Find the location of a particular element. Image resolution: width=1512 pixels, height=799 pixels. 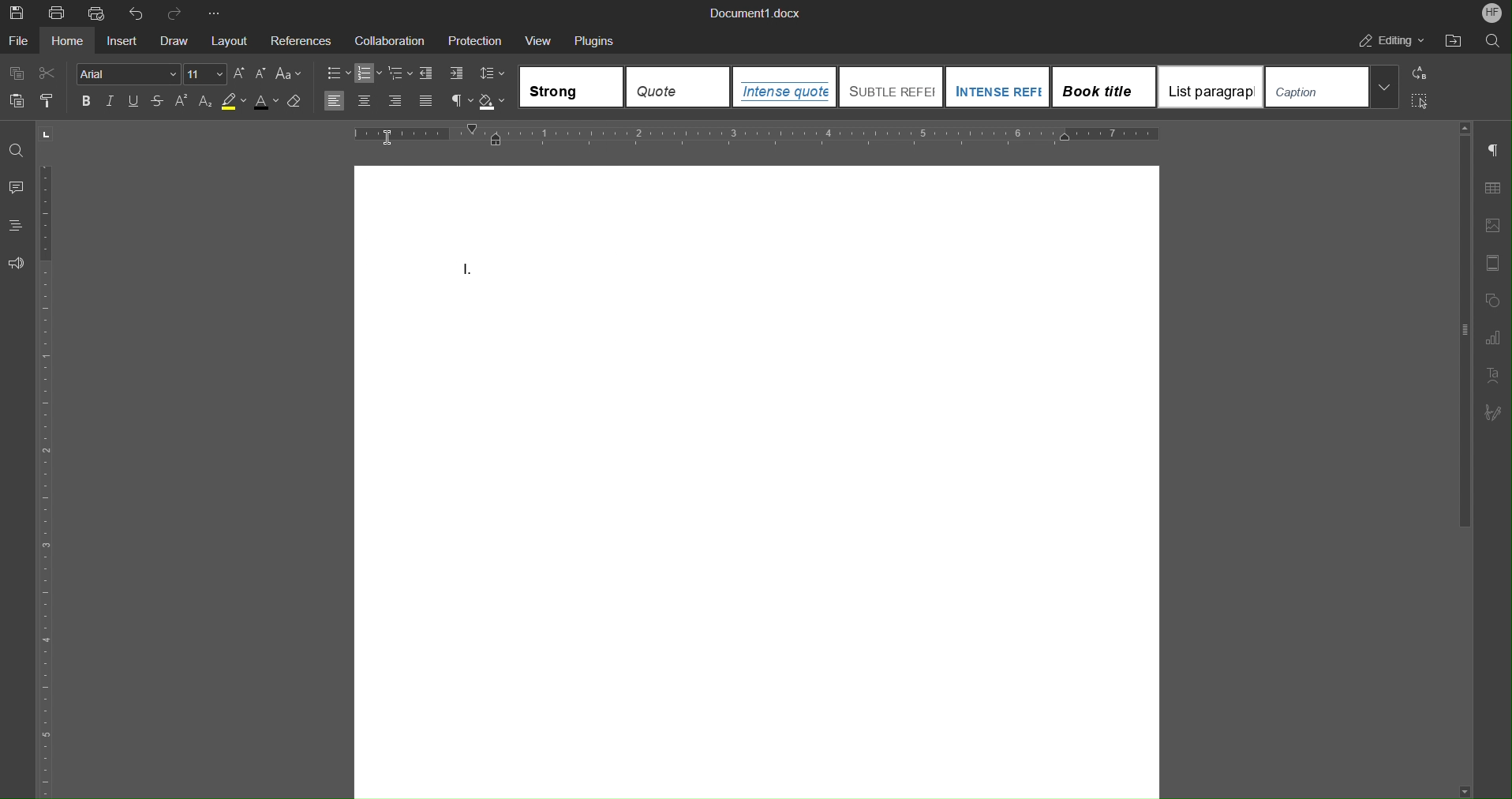

Table is located at coordinates (1494, 188).